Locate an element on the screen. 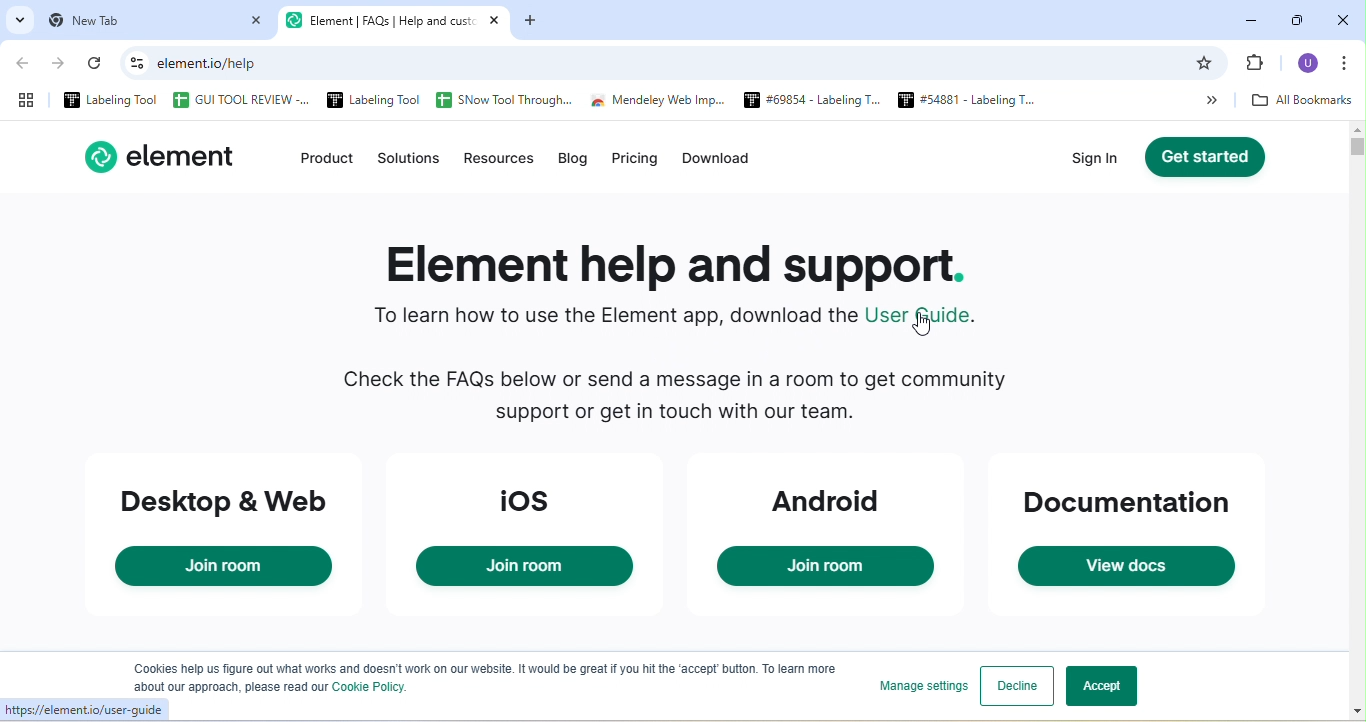  element.io/help is located at coordinates (569, 63).